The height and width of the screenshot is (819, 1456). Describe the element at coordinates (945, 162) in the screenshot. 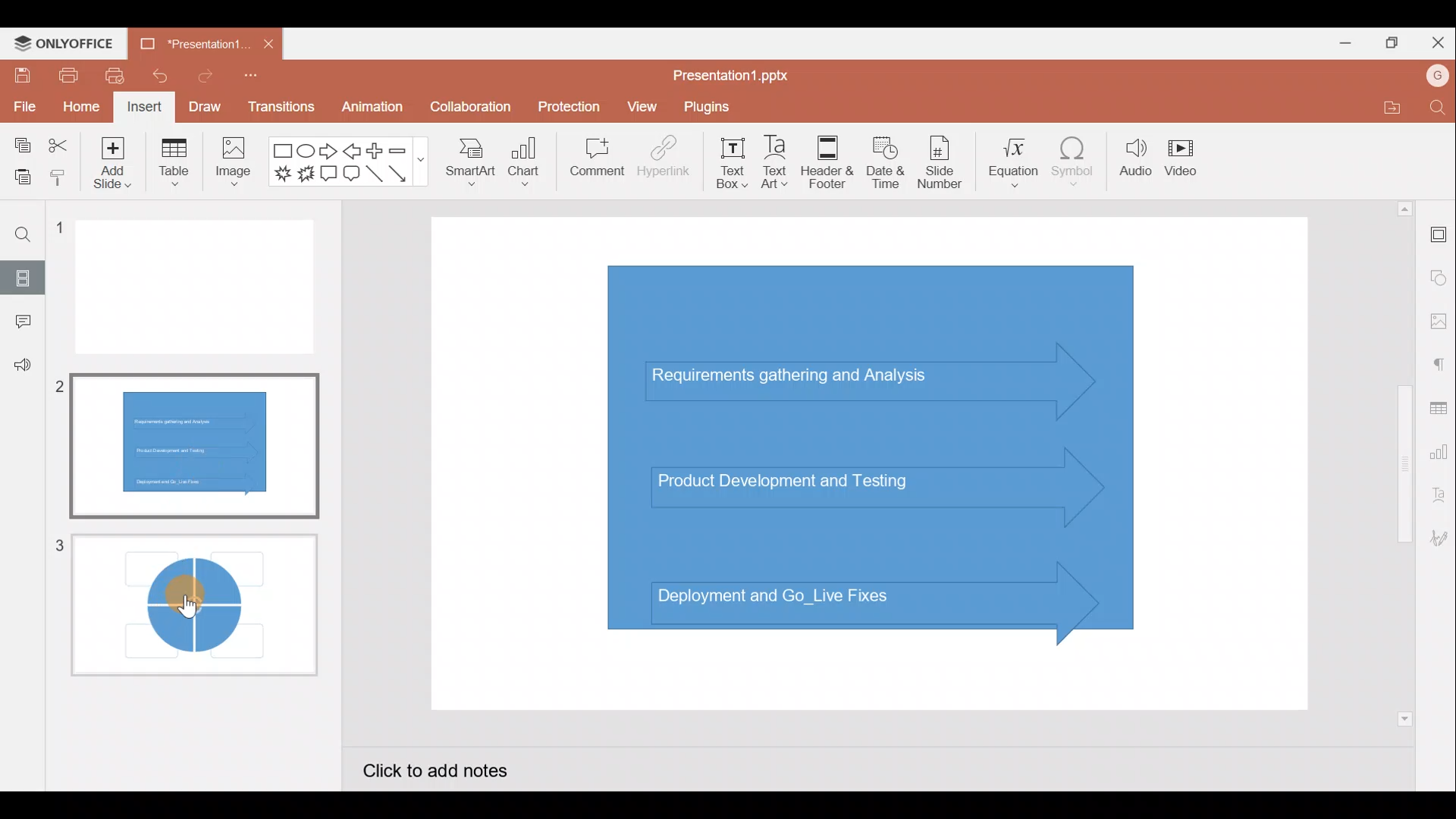

I see `Slide number` at that location.